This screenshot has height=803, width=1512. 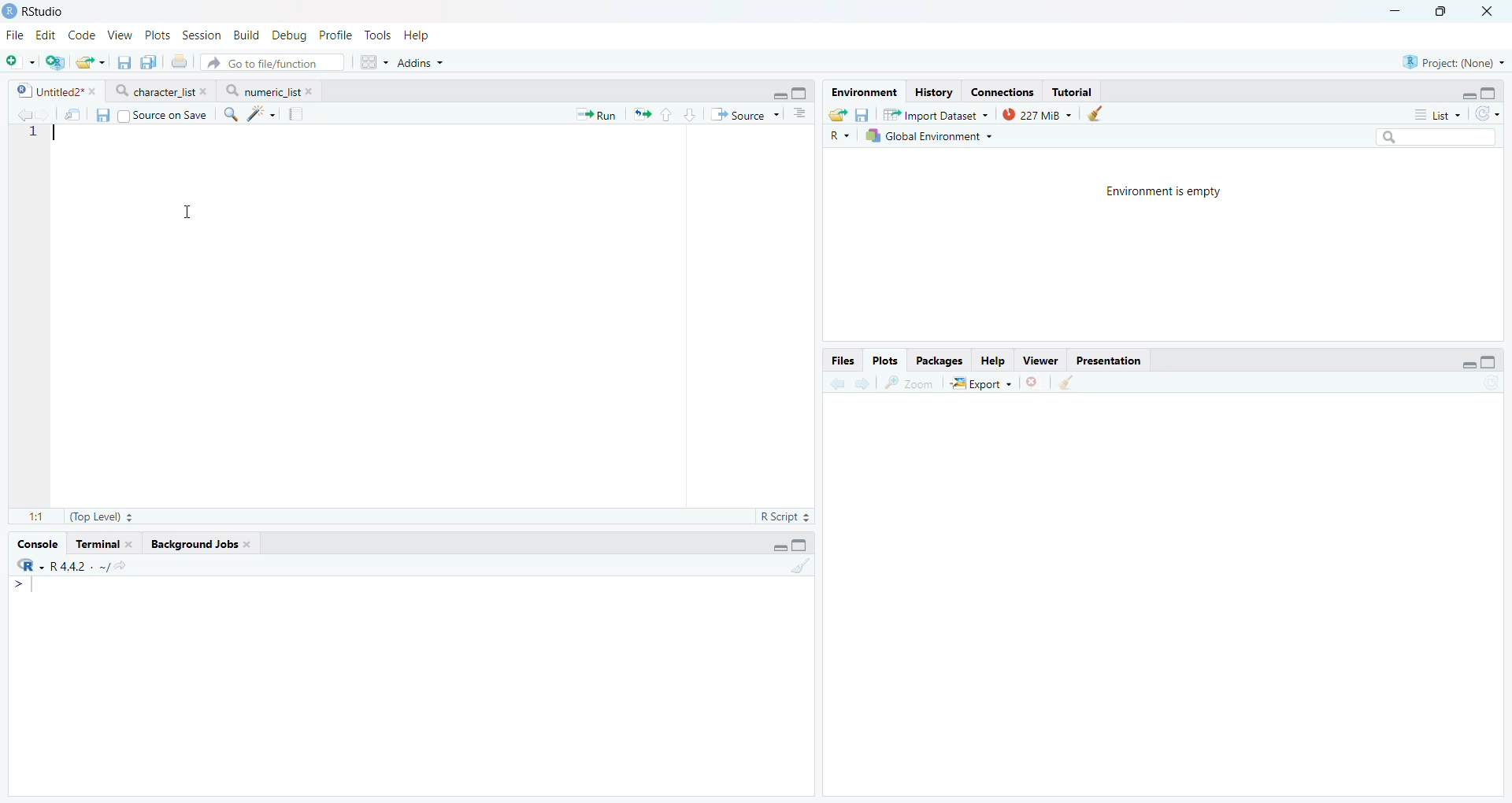 What do you see at coordinates (421, 63) in the screenshot?
I see `Addins` at bounding box center [421, 63].